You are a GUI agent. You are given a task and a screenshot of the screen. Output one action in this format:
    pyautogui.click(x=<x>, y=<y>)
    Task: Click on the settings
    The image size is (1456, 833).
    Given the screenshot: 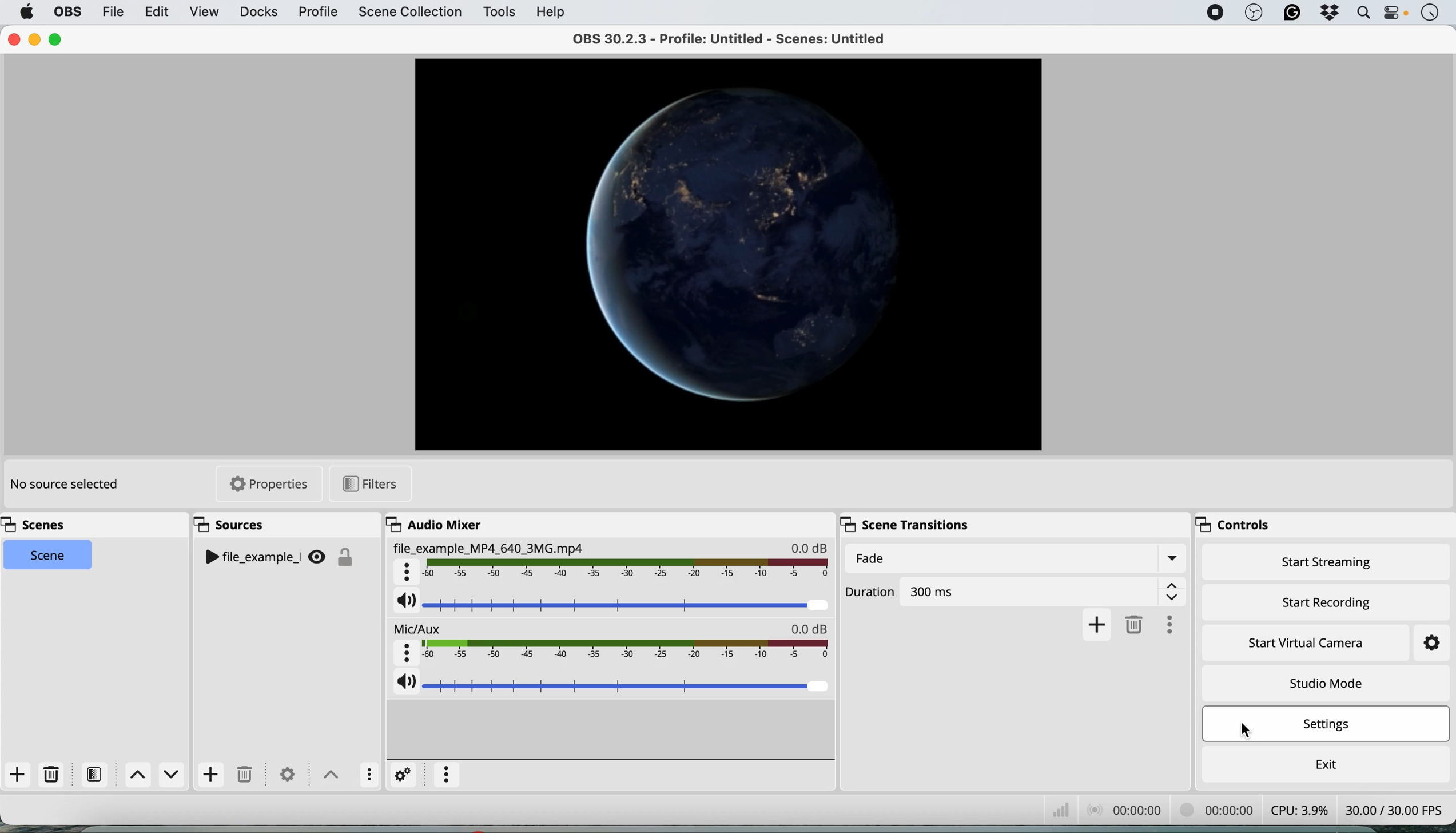 What is the action you would take?
    pyautogui.click(x=1421, y=644)
    